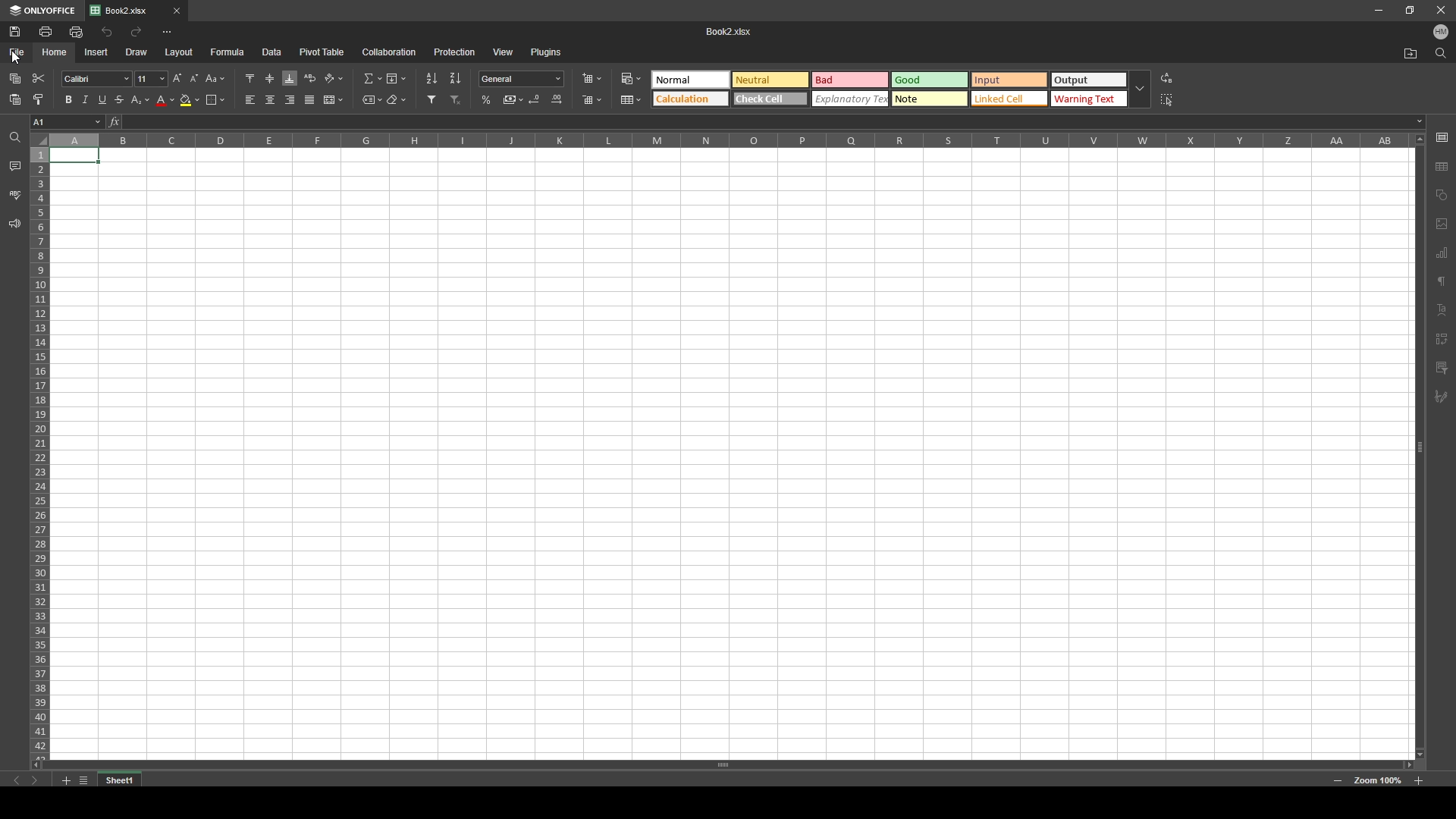 The image size is (1456, 819). I want to click on Check cell, so click(770, 98).